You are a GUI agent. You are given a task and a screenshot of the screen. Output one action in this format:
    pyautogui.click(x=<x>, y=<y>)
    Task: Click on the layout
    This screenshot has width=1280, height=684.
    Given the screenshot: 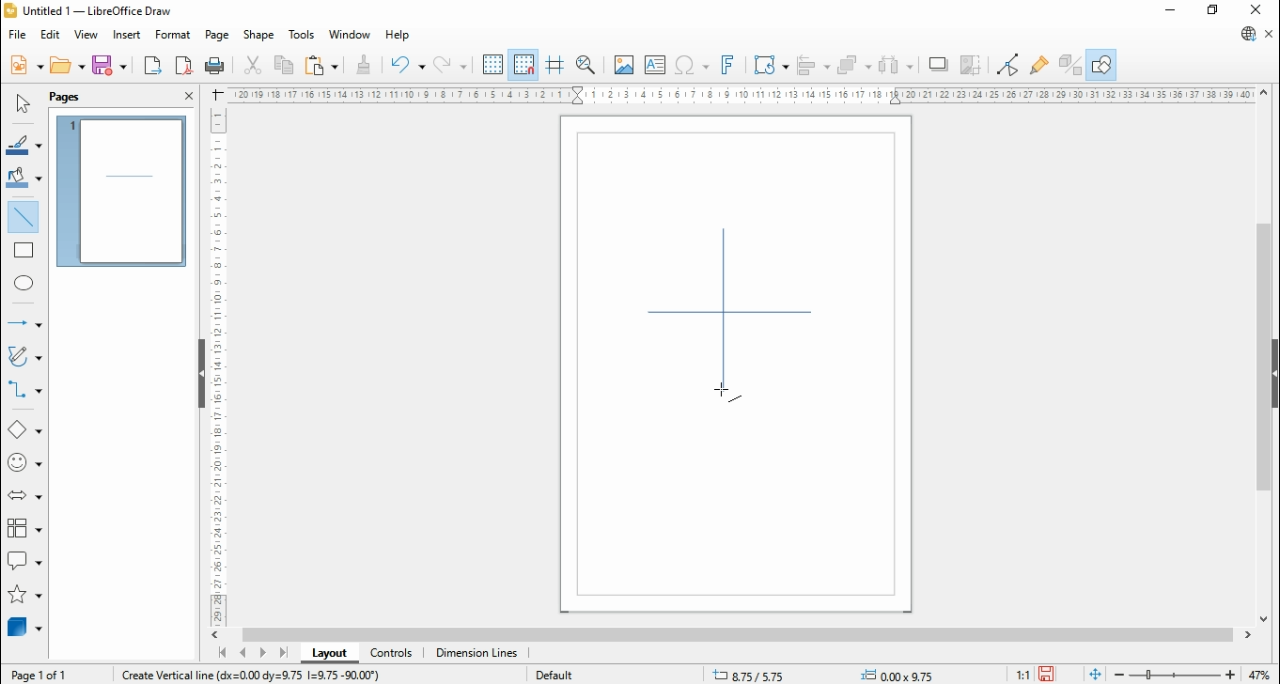 What is the action you would take?
    pyautogui.click(x=327, y=652)
    